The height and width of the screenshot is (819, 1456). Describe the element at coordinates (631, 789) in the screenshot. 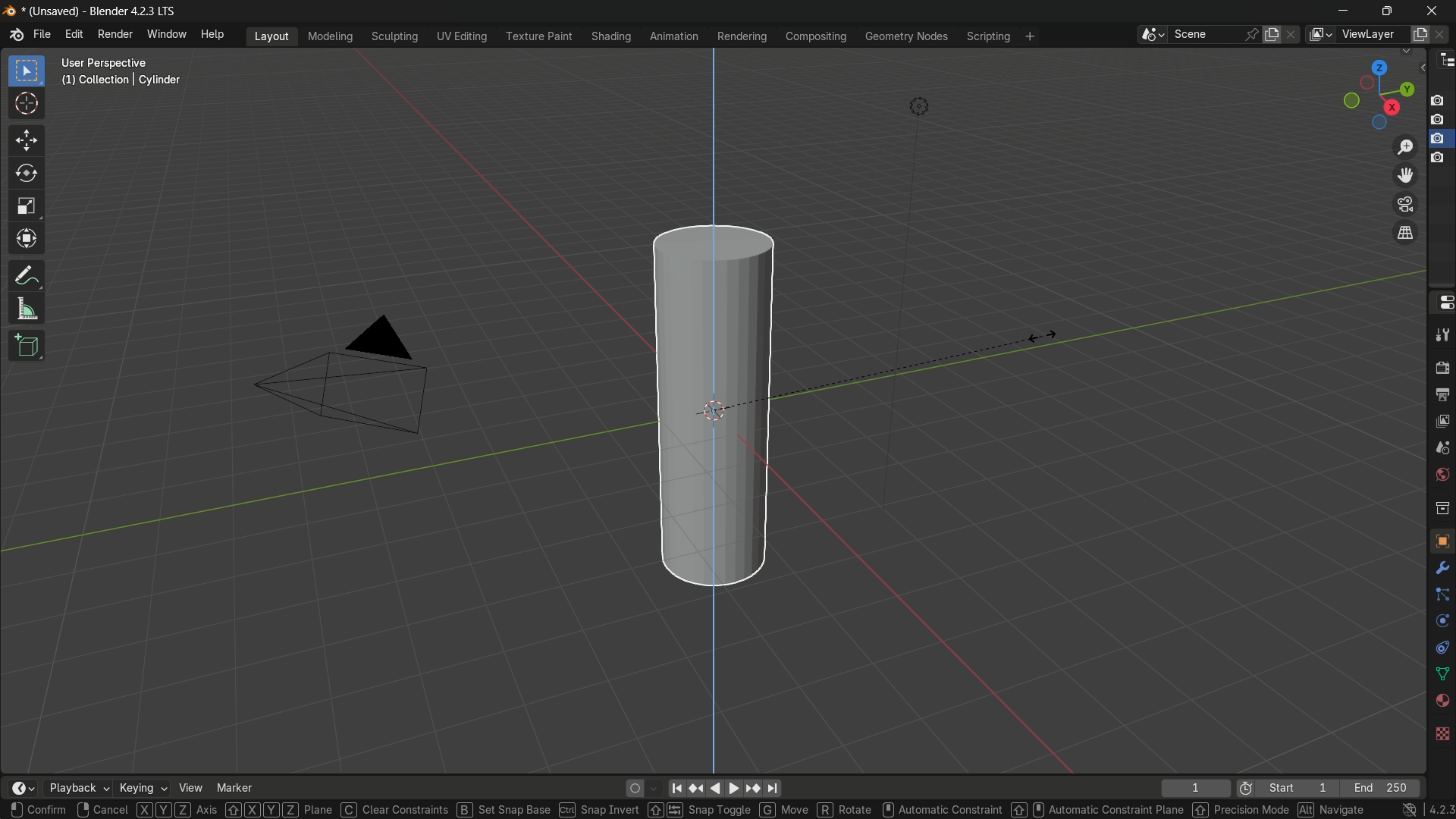

I see `auto keying` at that location.